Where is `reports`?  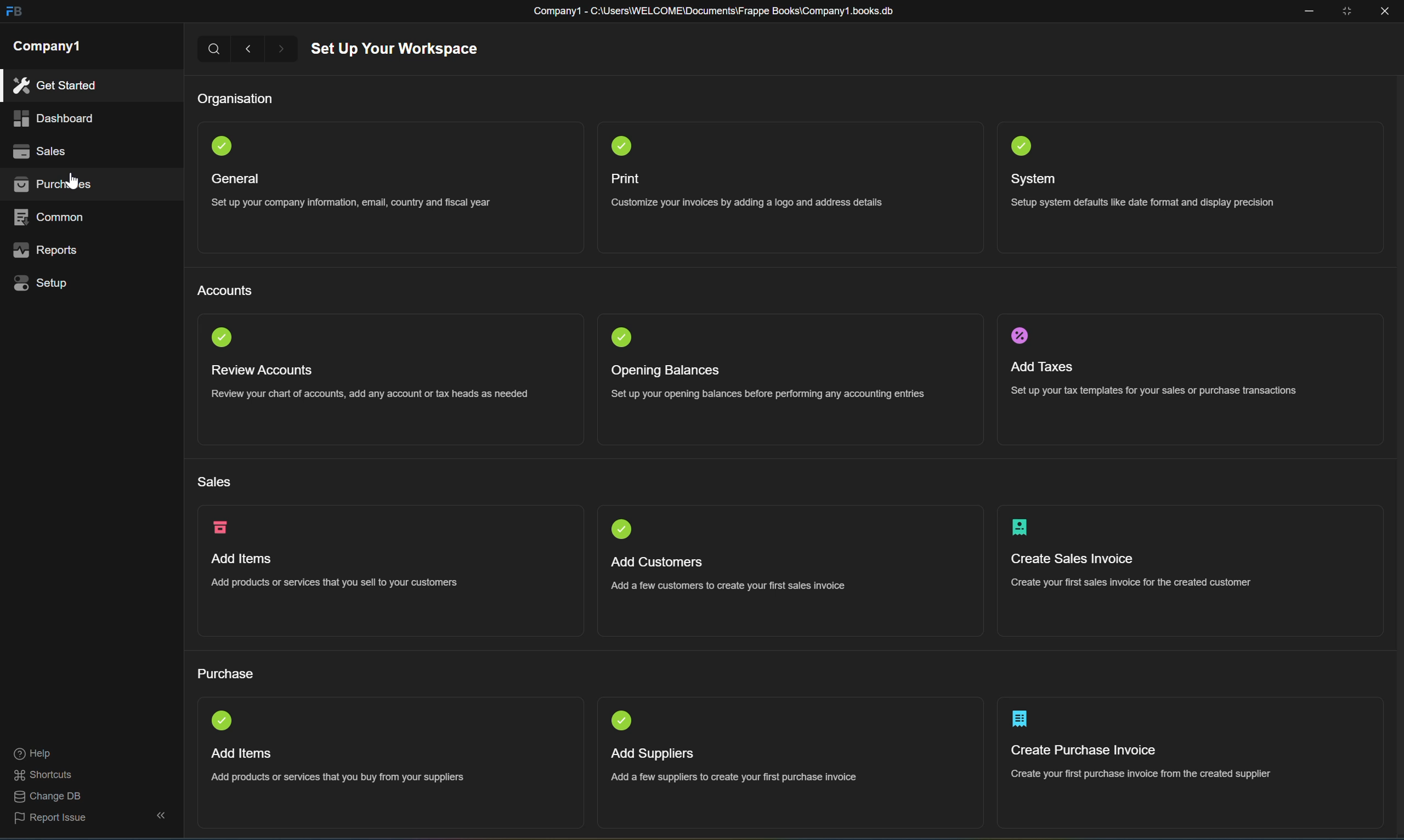 reports is located at coordinates (45, 249).